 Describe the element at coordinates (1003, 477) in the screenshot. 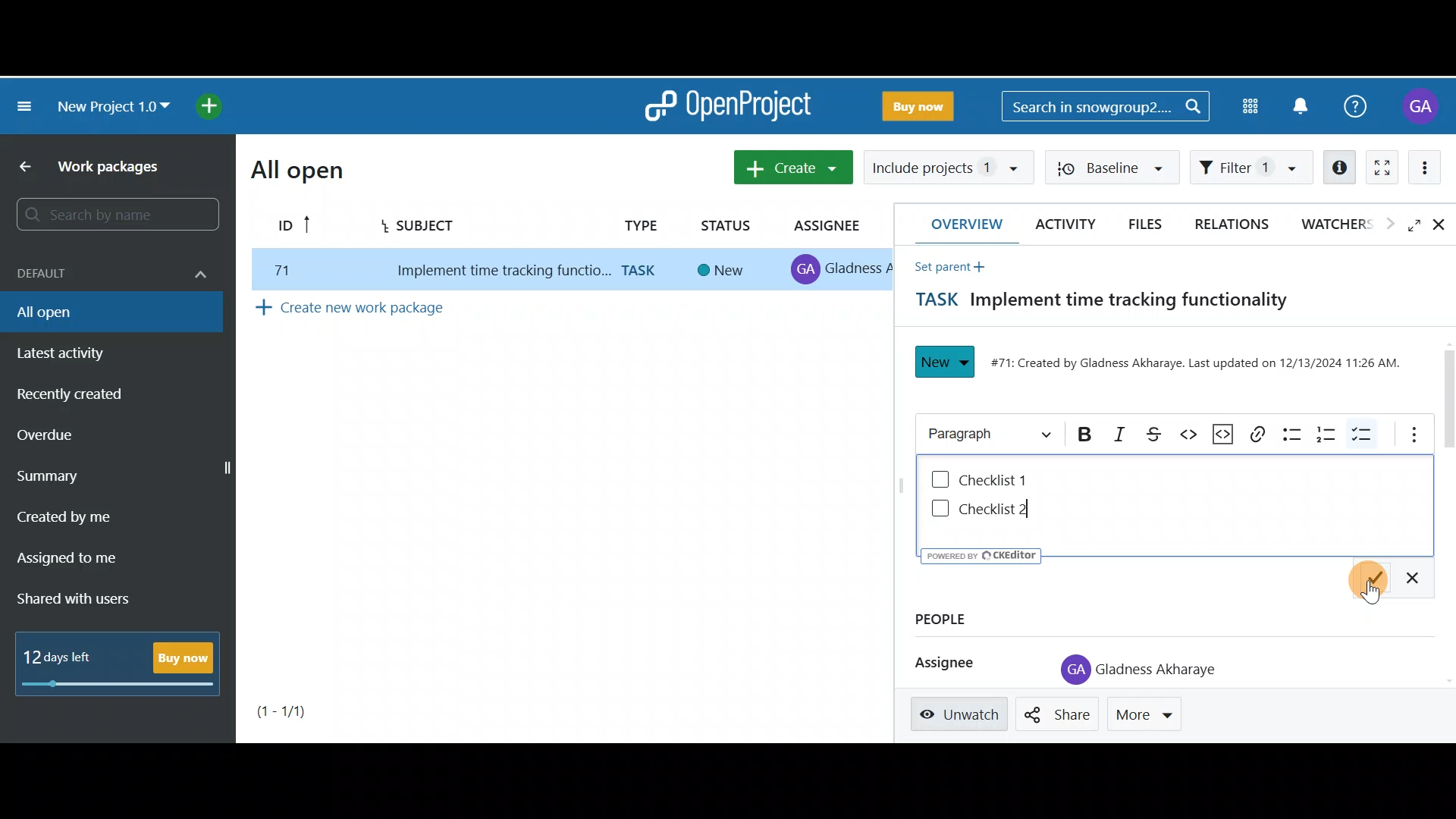

I see `Checklist 1` at that location.